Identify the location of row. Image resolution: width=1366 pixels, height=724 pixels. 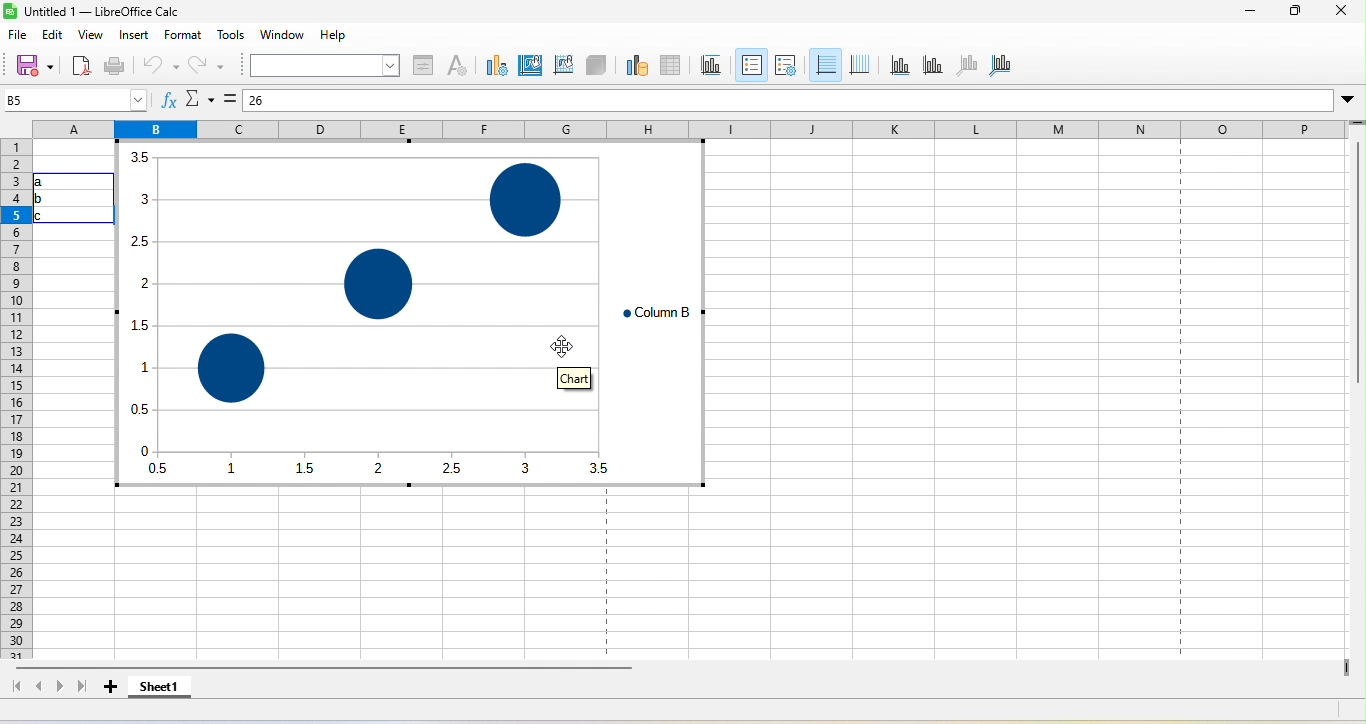
(16, 398).